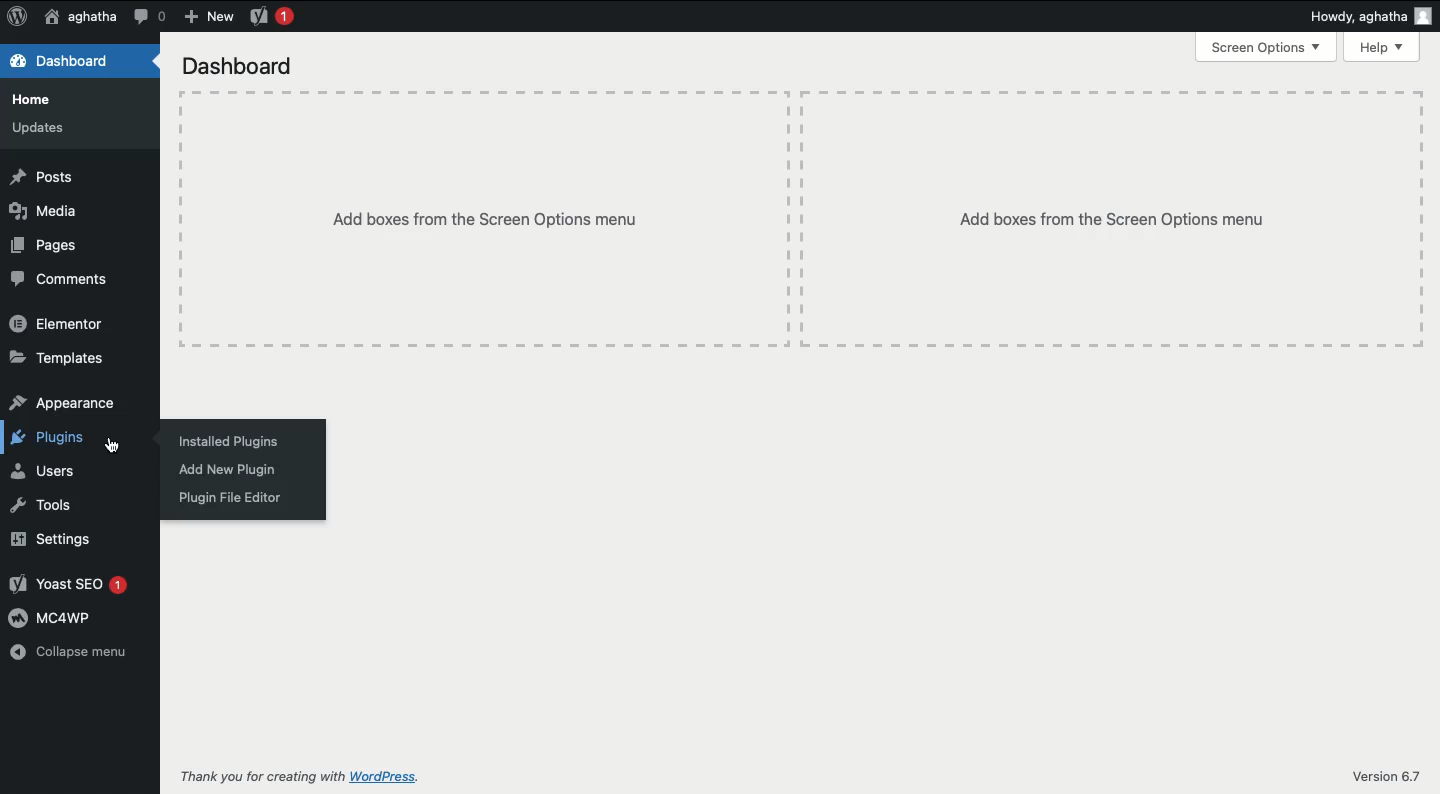 The width and height of the screenshot is (1440, 794). Describe the element at coordinates (44, 506) in the screenshot. I see `Tools` at that location.